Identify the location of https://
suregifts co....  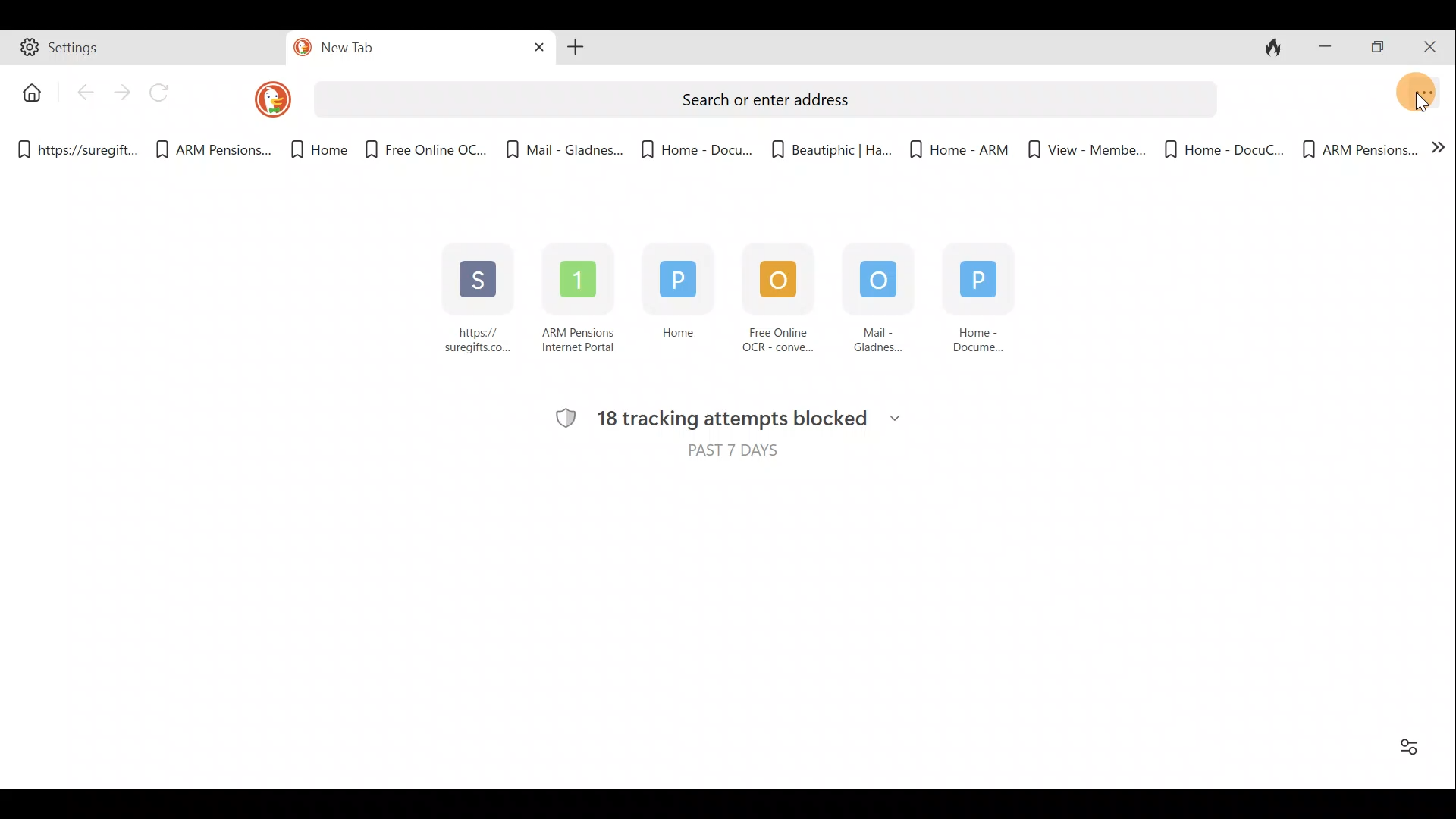
(479, 301).